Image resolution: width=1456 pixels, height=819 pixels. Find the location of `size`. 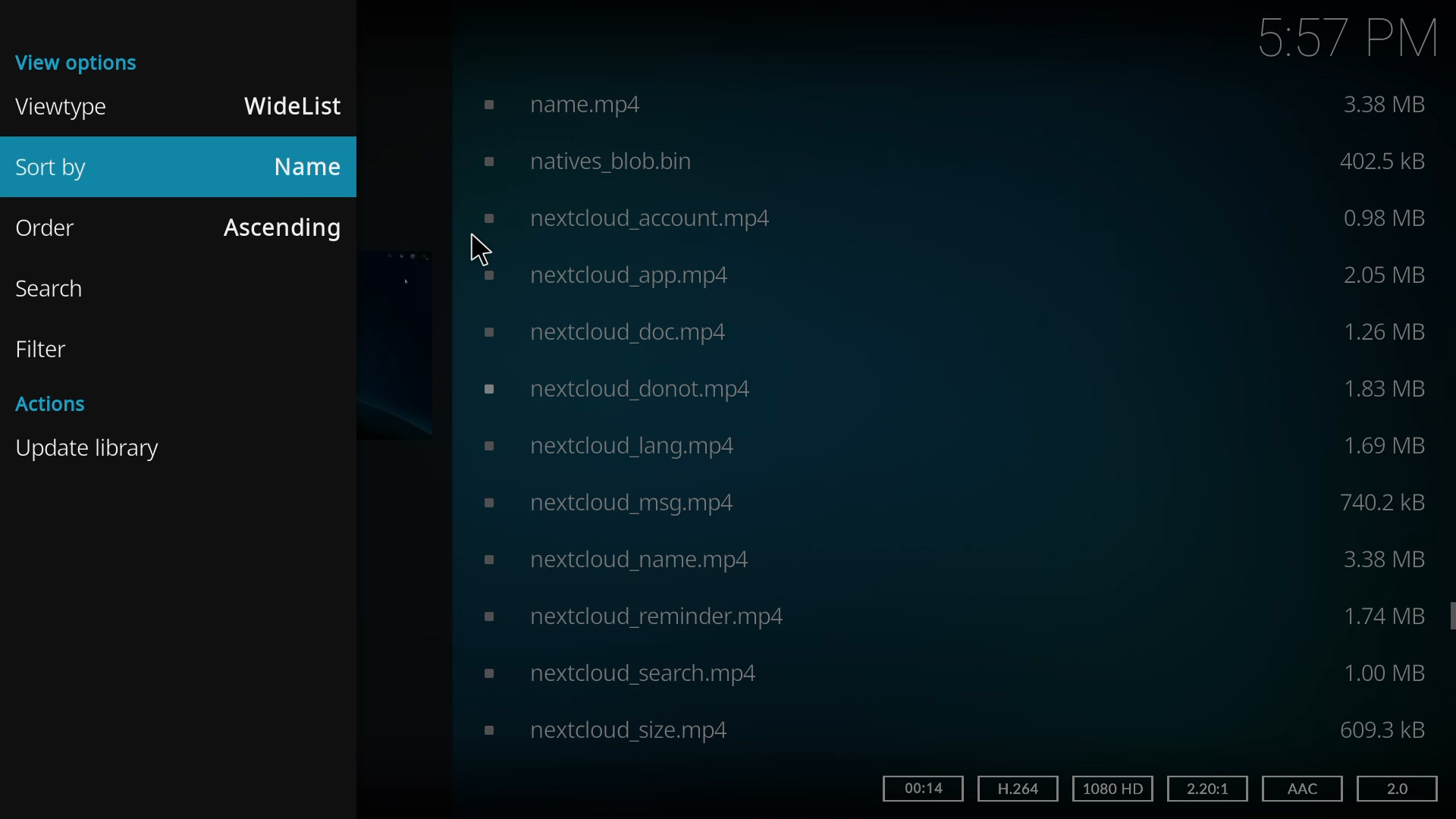

size is located at coordinates (1389, 105).